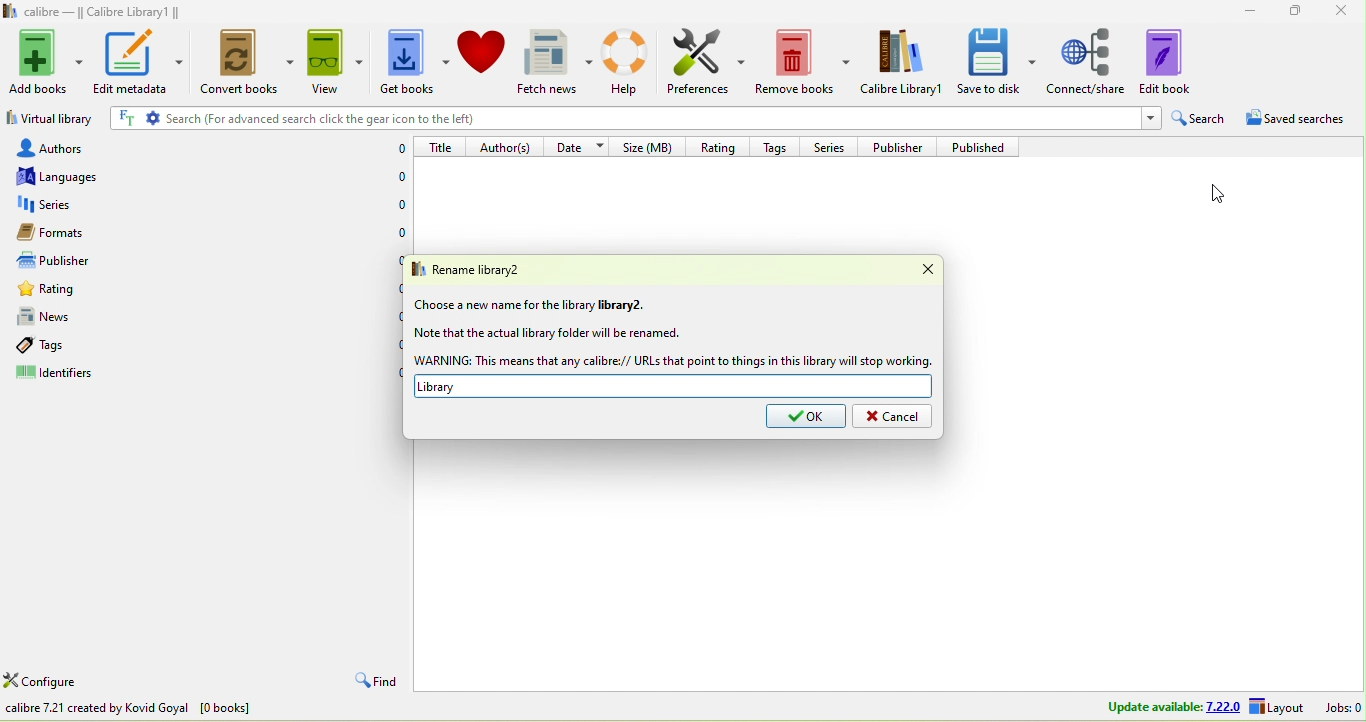 This screenshot has width=1366, height=722. Describe the element at coordinates (401, 205) in the screenshot. I see `0` at that location.